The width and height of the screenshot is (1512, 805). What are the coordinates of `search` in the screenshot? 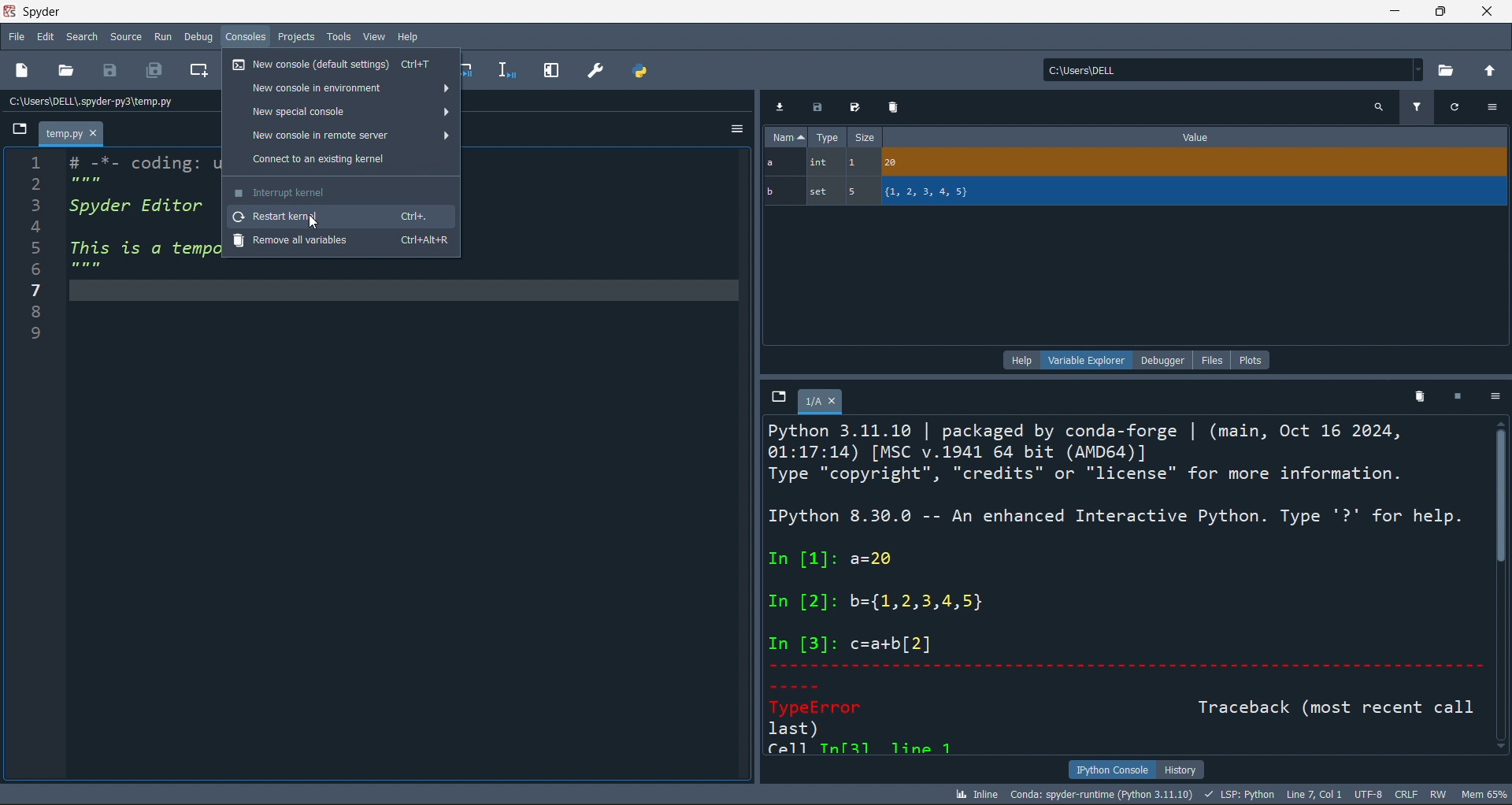 It's located at (82, 37).